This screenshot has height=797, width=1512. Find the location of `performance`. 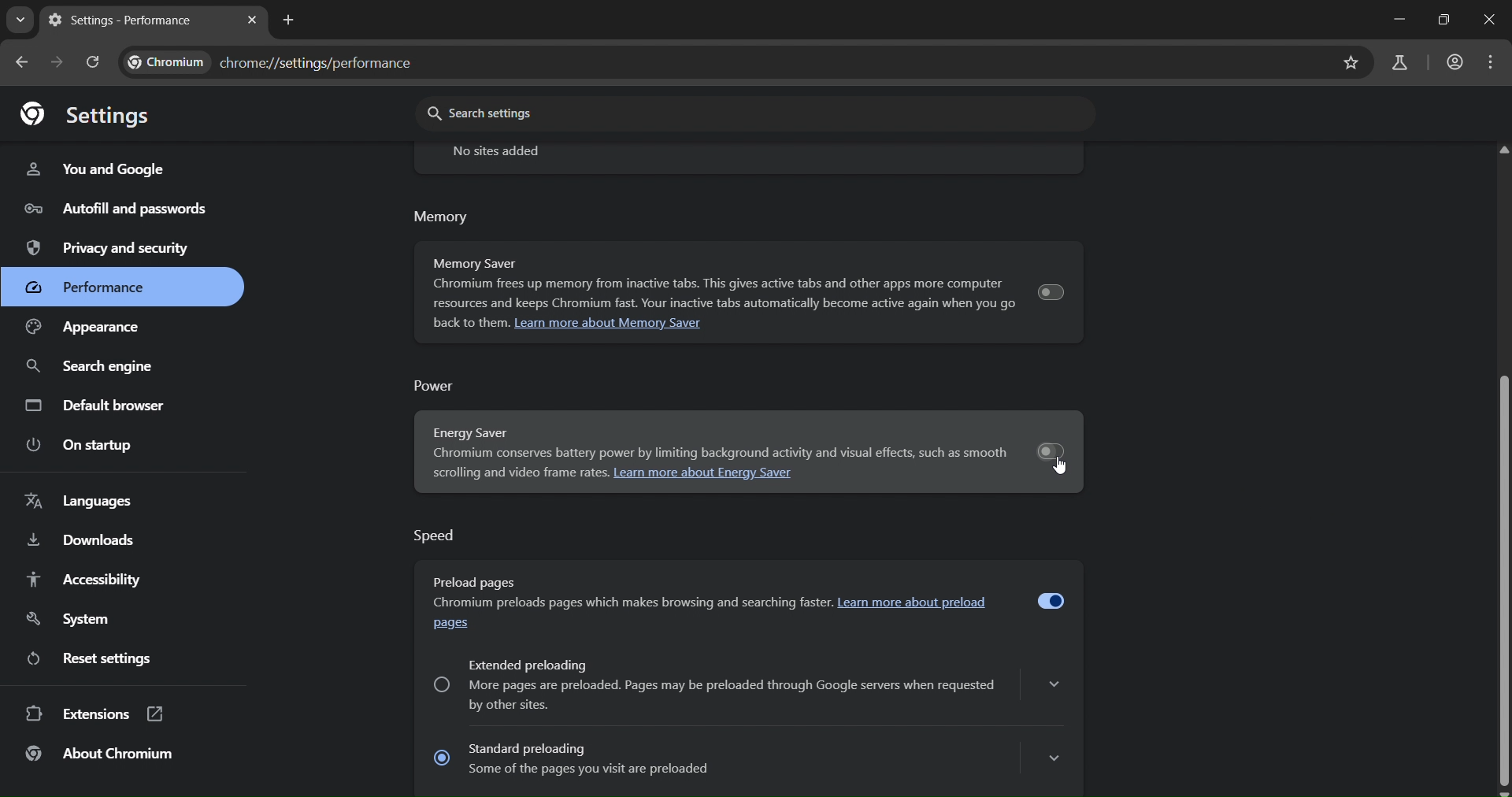

performance is located at coordinates (93, 284).